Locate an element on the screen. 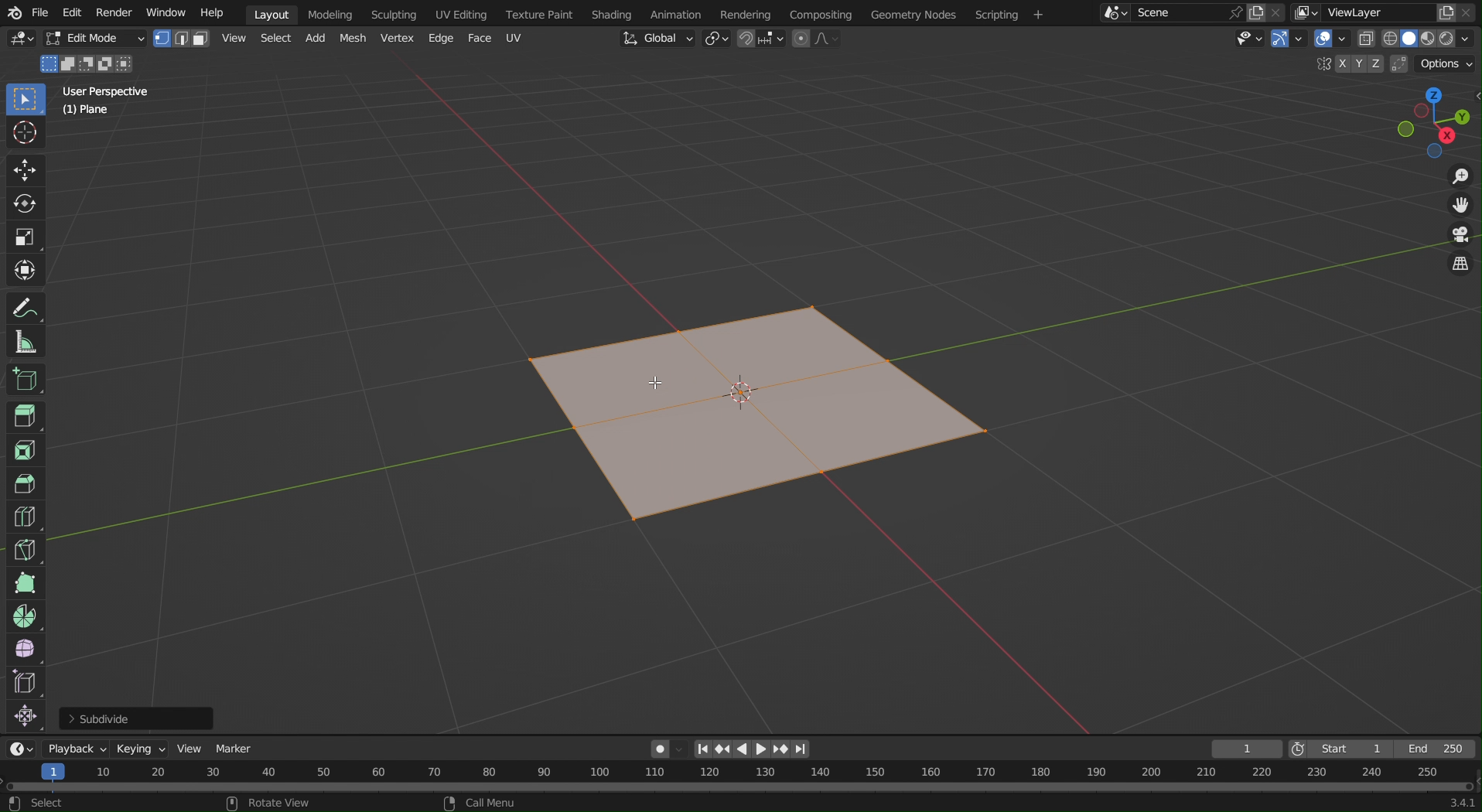 The width and height of the screenshot is (1482, 812). Keying is located at coordinates (142, 749).